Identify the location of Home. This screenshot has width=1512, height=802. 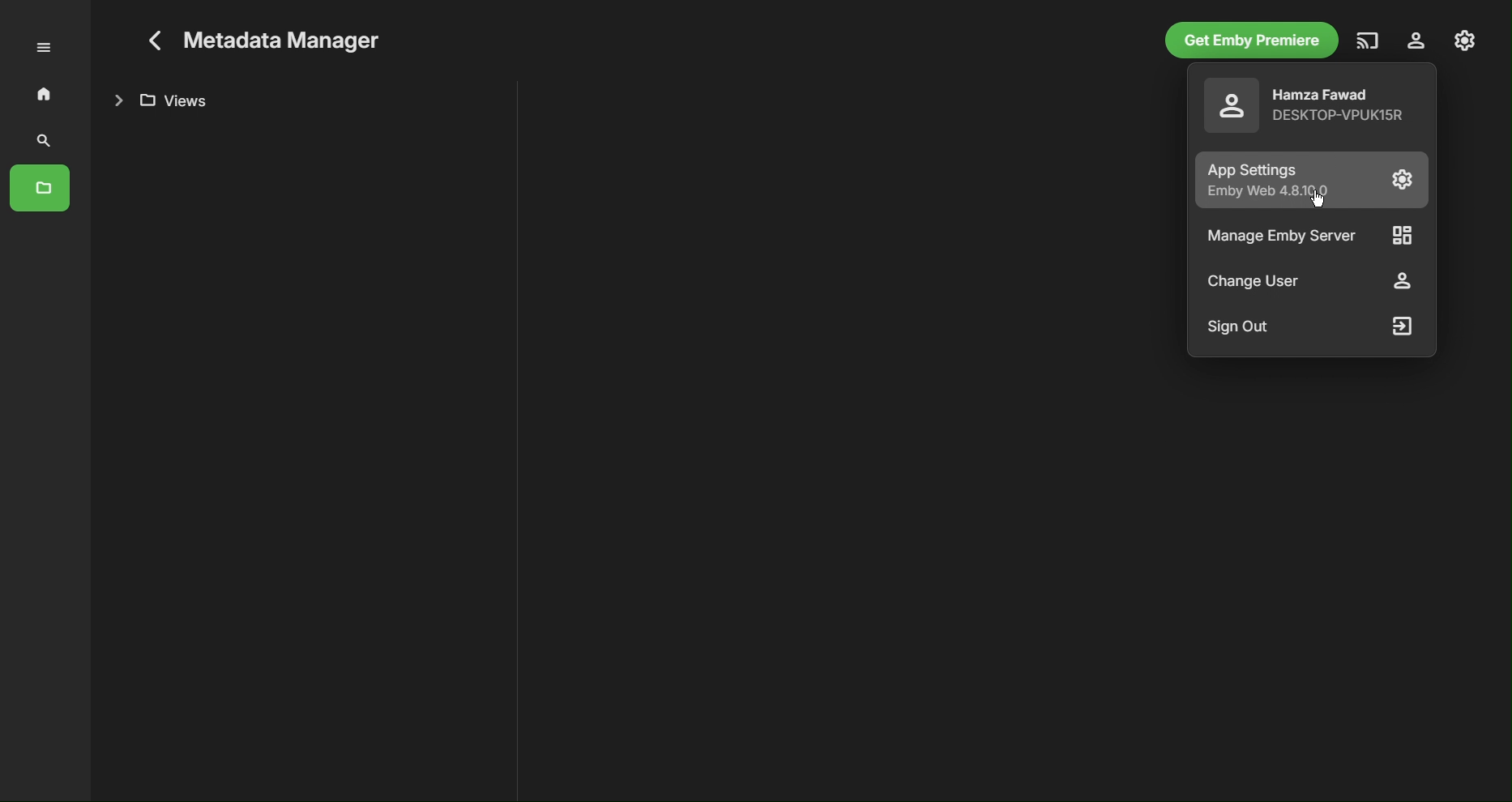
(43, 93).